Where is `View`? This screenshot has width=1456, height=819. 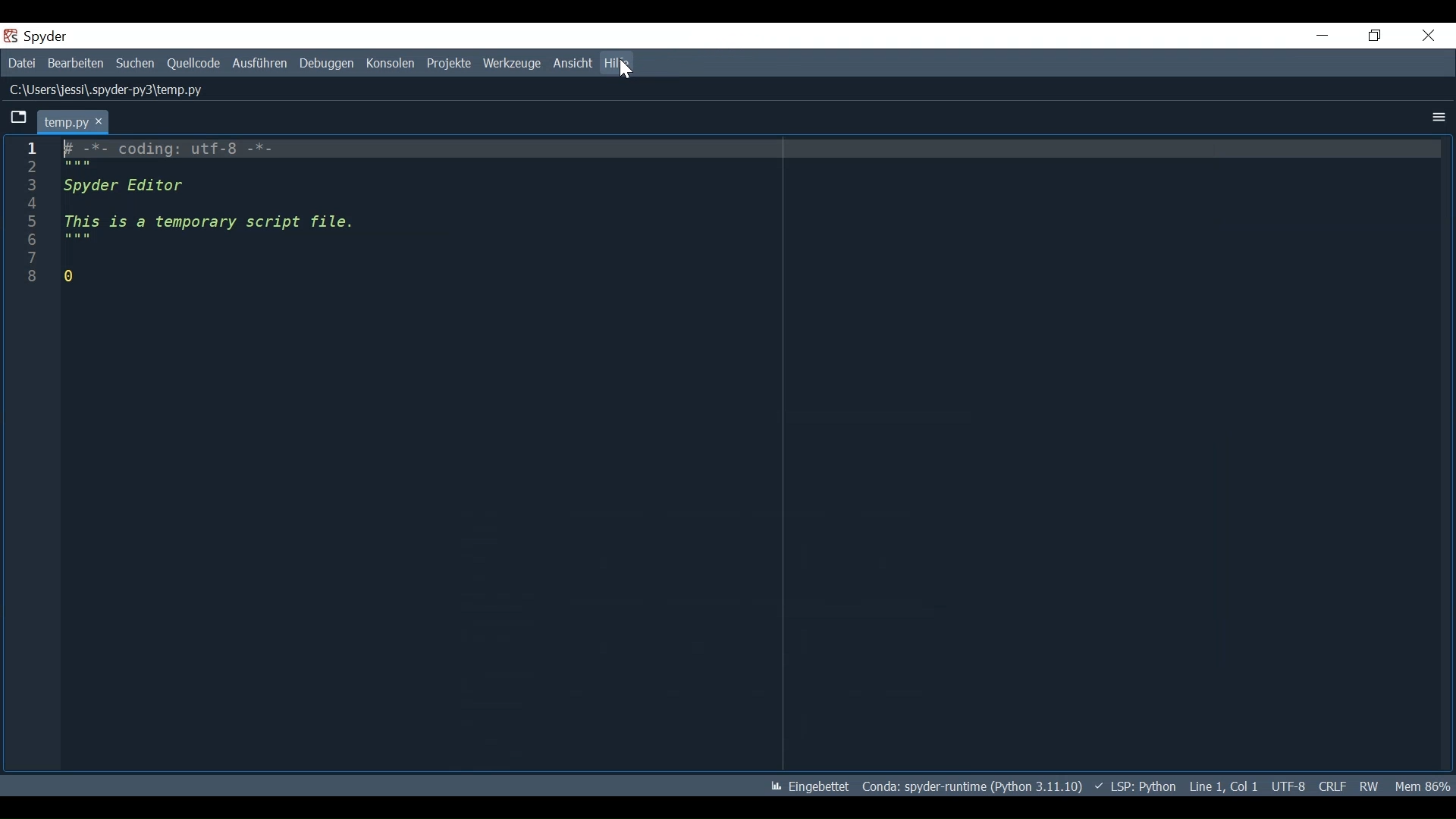 View is located at coordinates (572, 64).